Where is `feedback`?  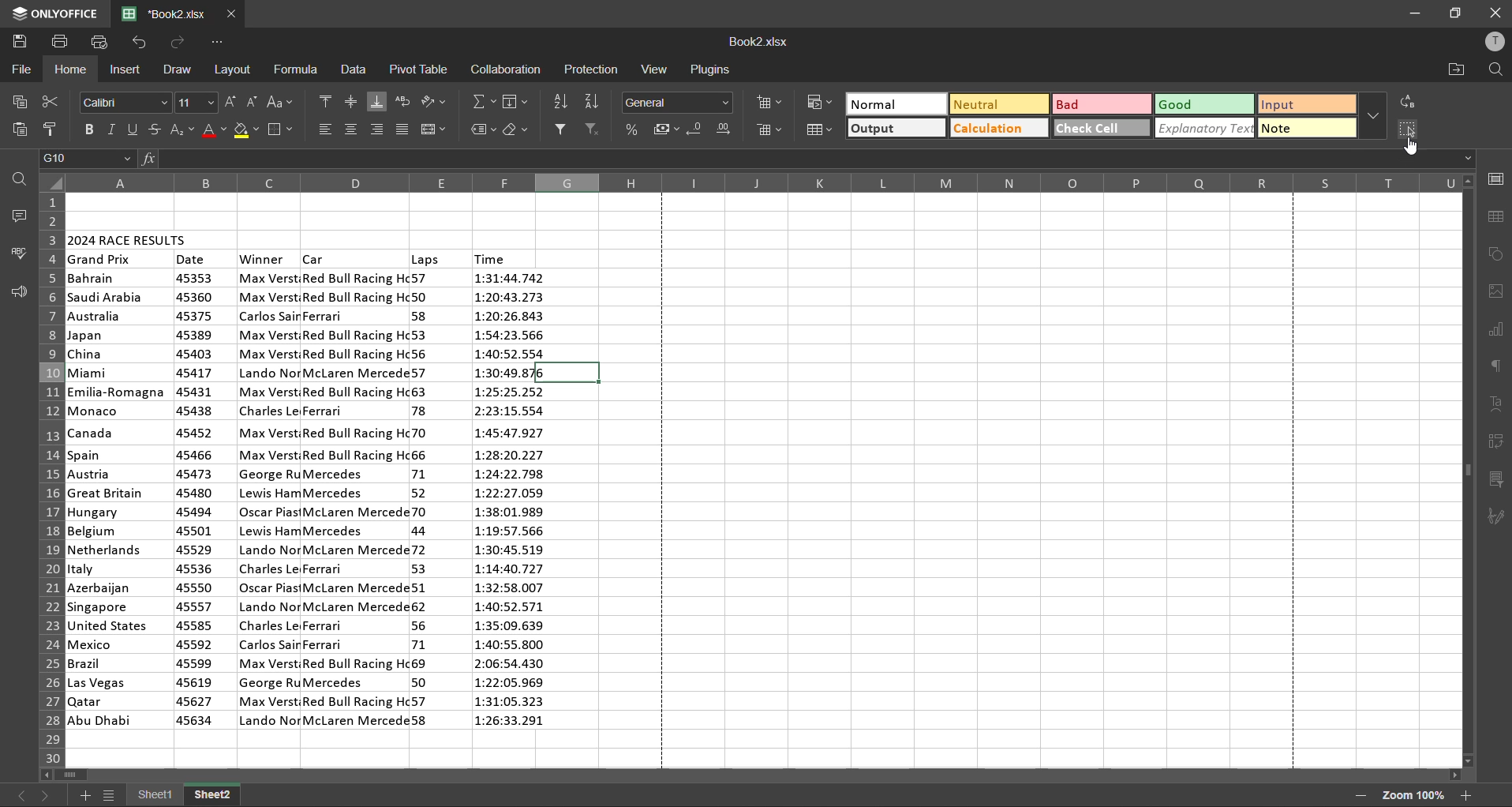 feedback is located at coordinates (18, 294).